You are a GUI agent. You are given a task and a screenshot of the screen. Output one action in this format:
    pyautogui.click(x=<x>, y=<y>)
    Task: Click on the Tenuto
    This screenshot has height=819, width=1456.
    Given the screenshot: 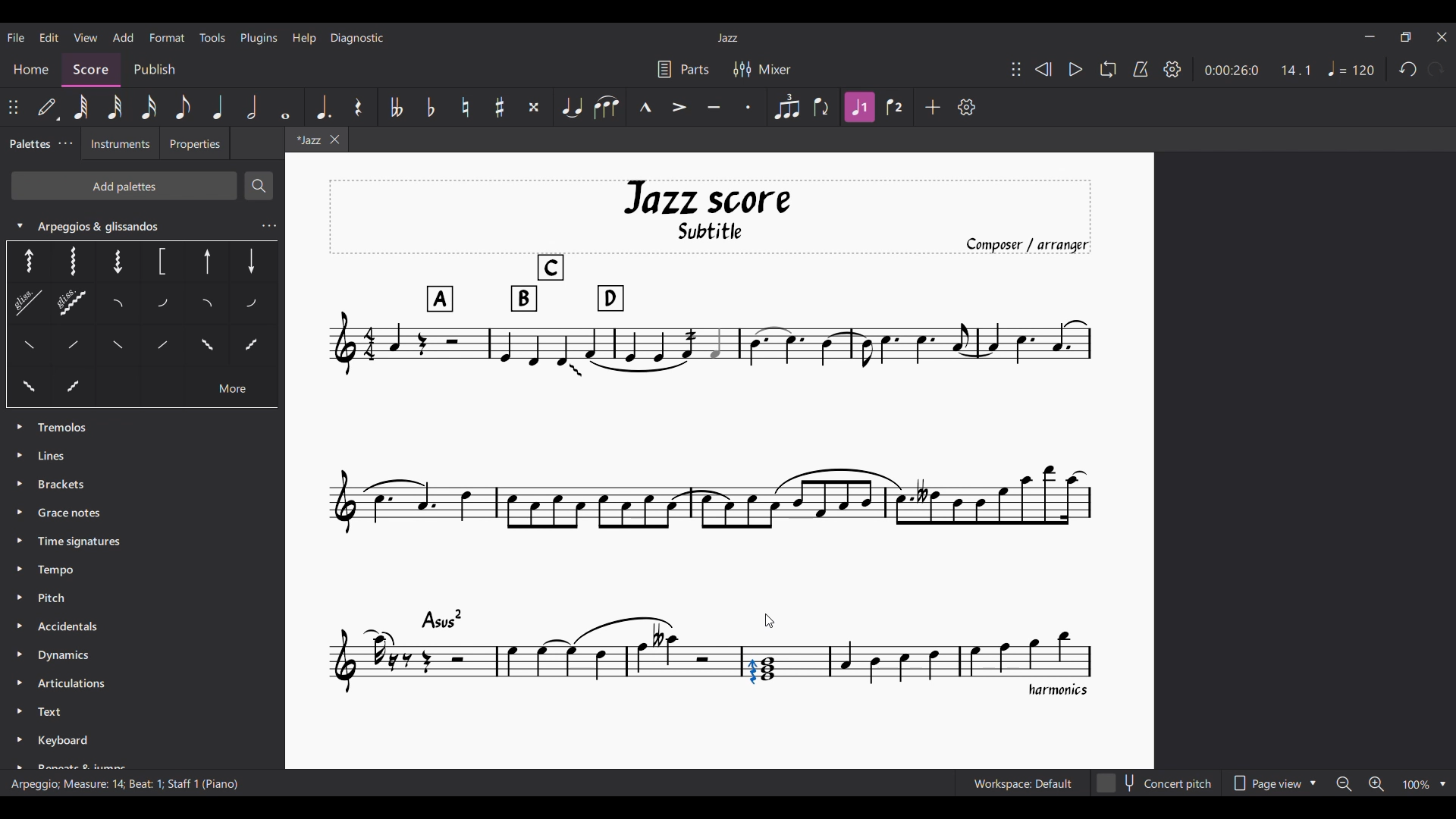 What is the action you would take?
    pyautogui.click(x=714, y=107)
    